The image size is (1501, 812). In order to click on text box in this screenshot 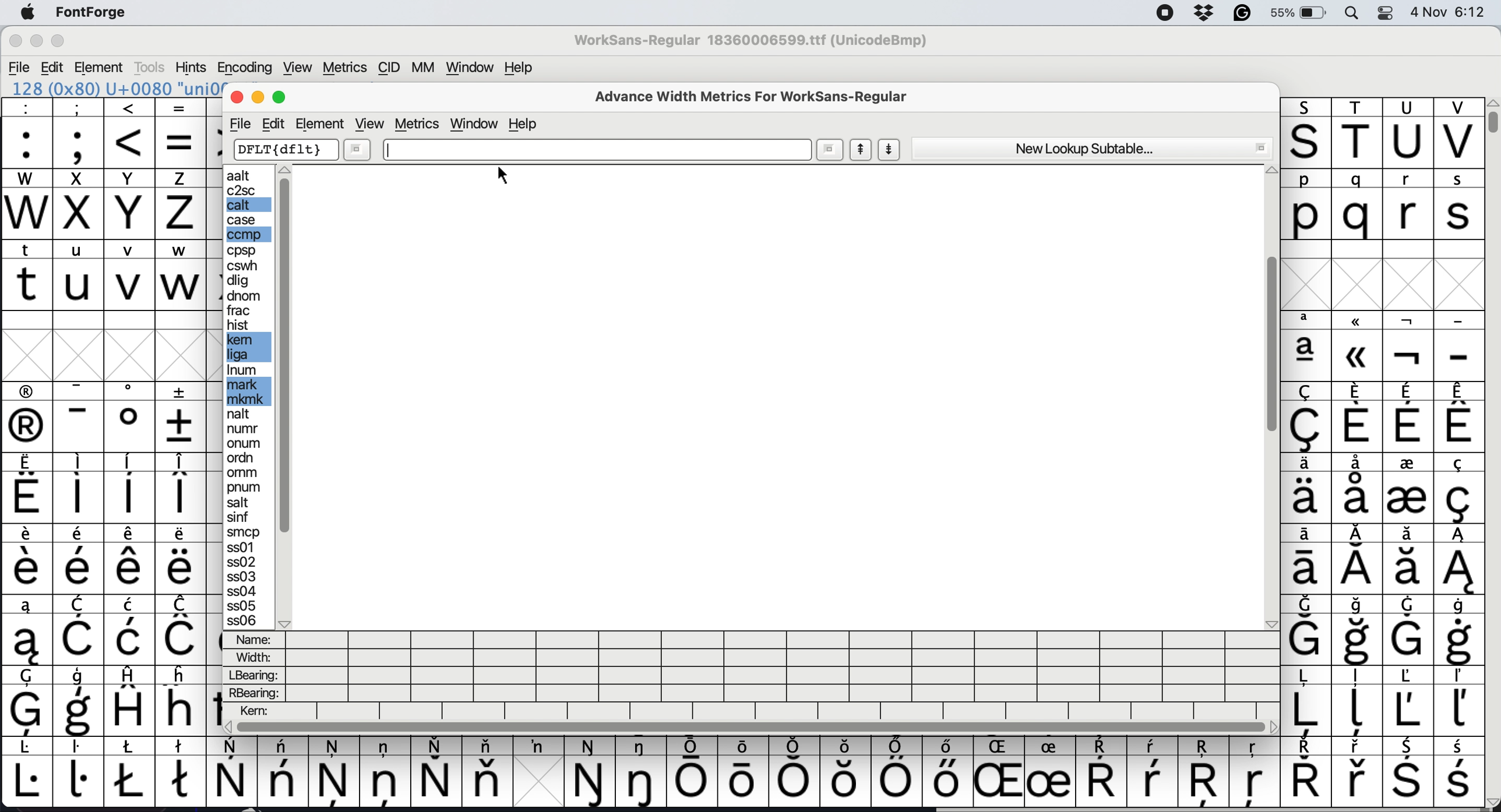, I will do `click(598, 148)`.